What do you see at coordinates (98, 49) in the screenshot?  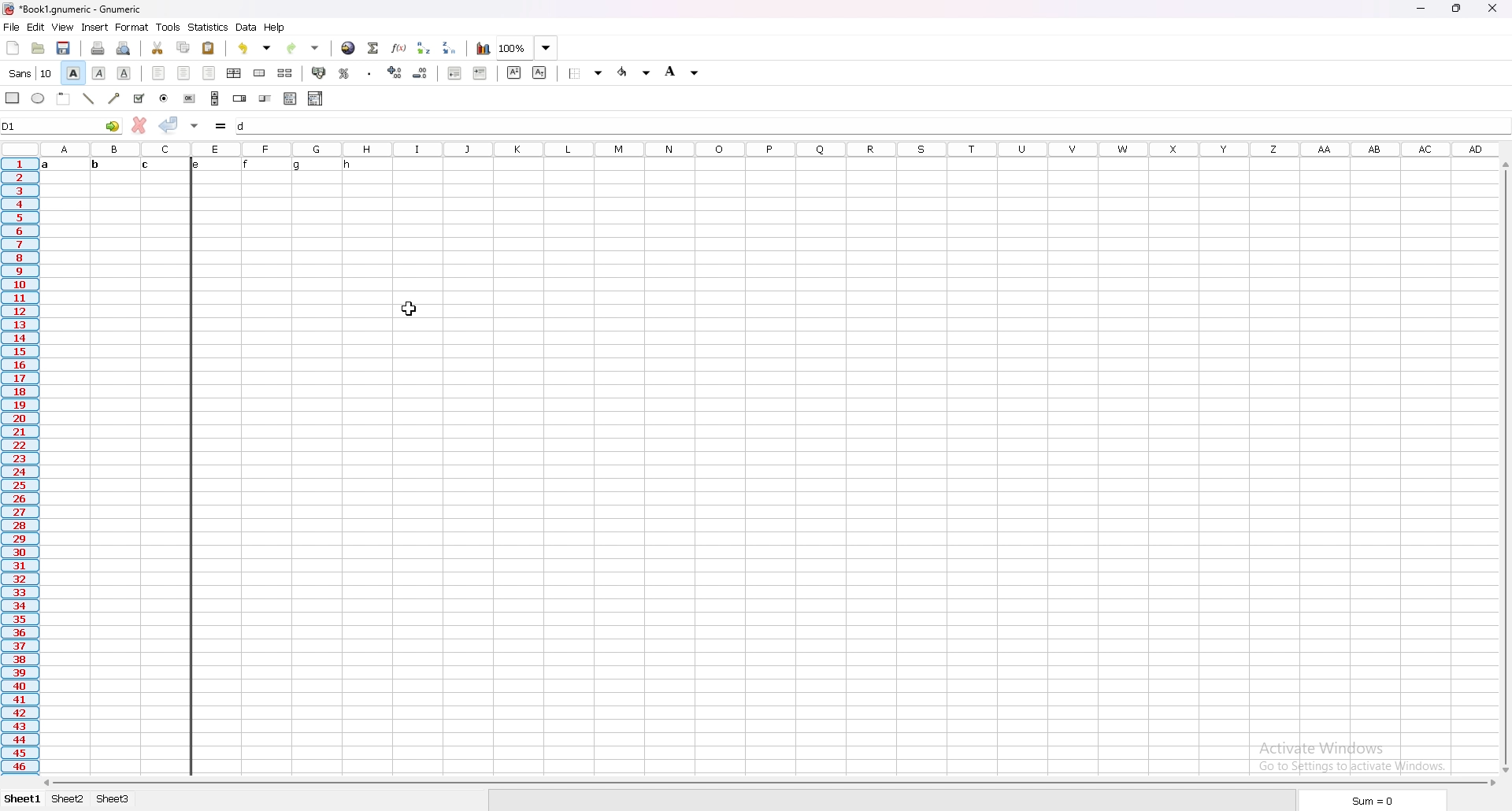 I see `print` at bounding box center [98, 49].